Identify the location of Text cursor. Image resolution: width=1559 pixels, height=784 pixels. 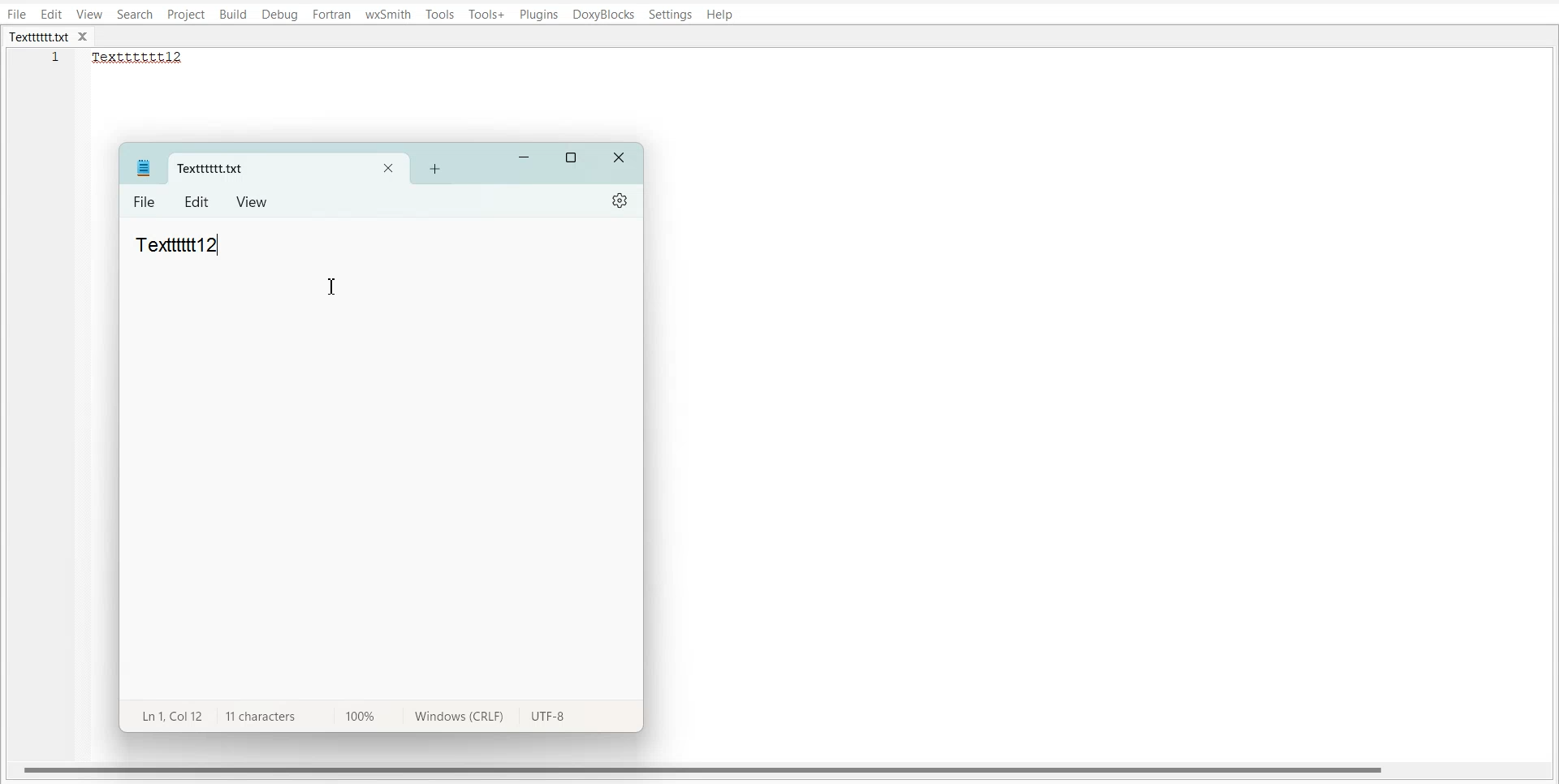
(334, 286).